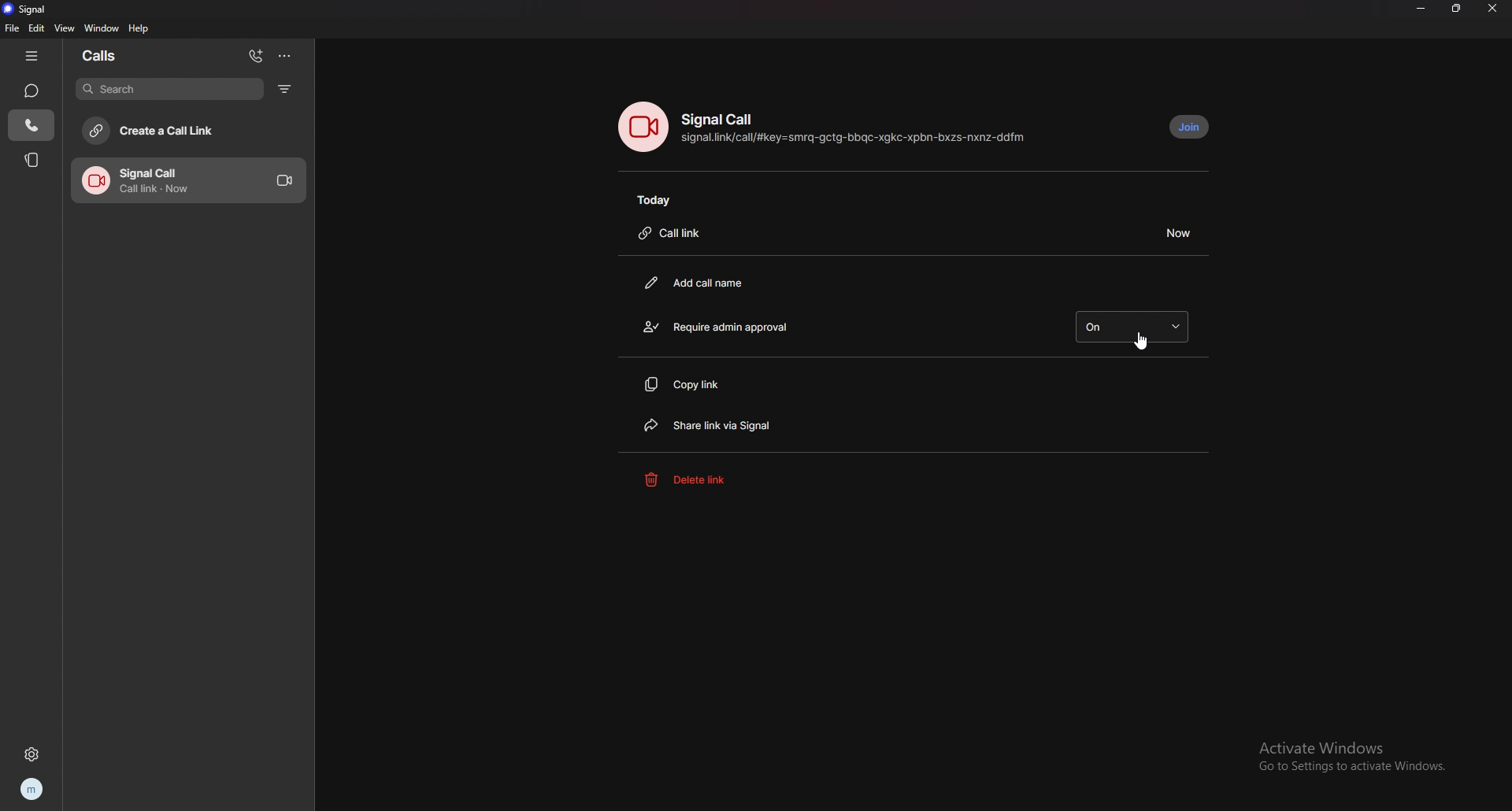 The image size is (1512, 811). What do you see at coordinates (1458, 8) in the screenshot?
I see `resize` at bounding box center [1458, 8].